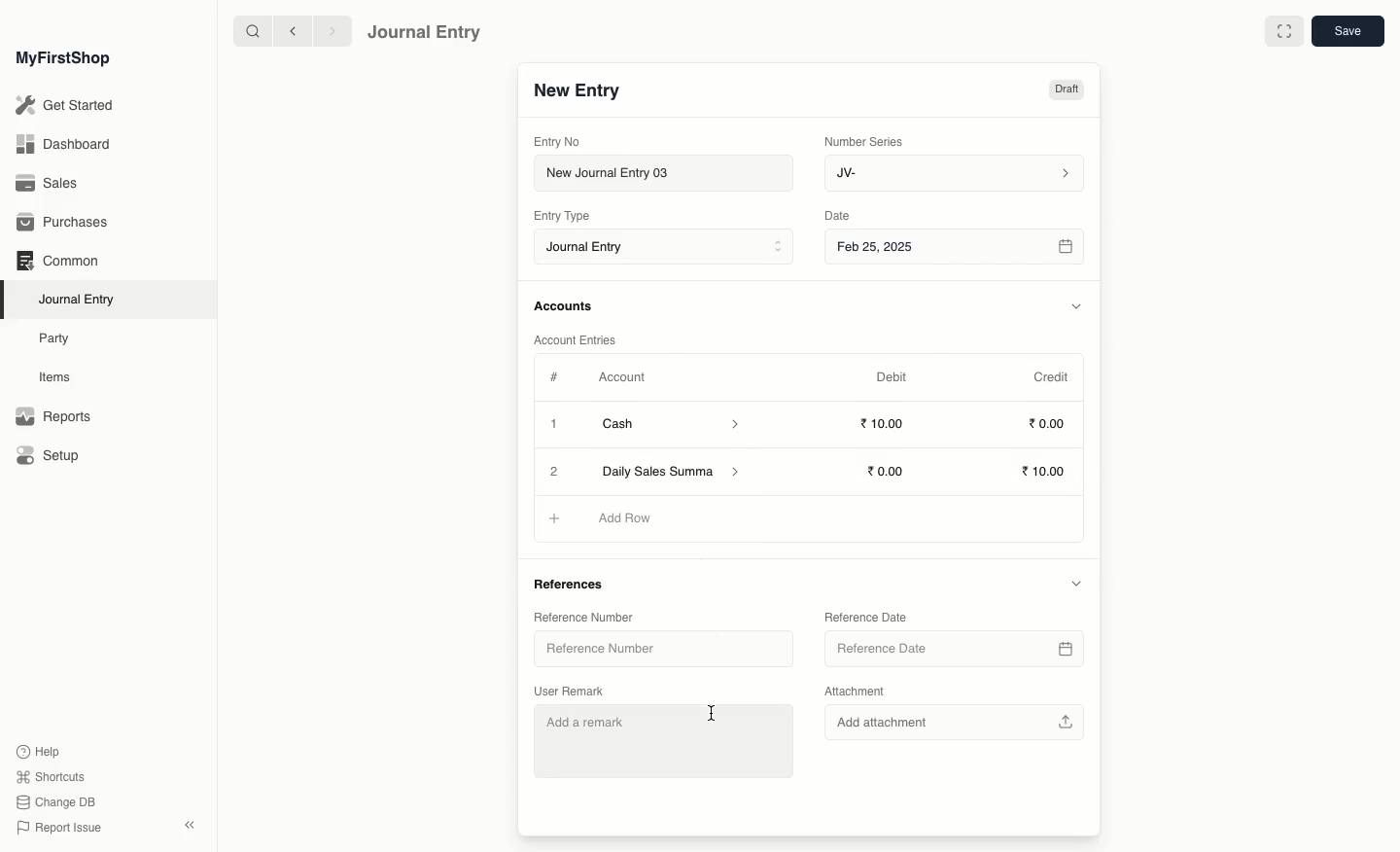 Image resolution: width=1400 pixels, height=852 pixels. I want to click on Get Started, so click(66, 106).